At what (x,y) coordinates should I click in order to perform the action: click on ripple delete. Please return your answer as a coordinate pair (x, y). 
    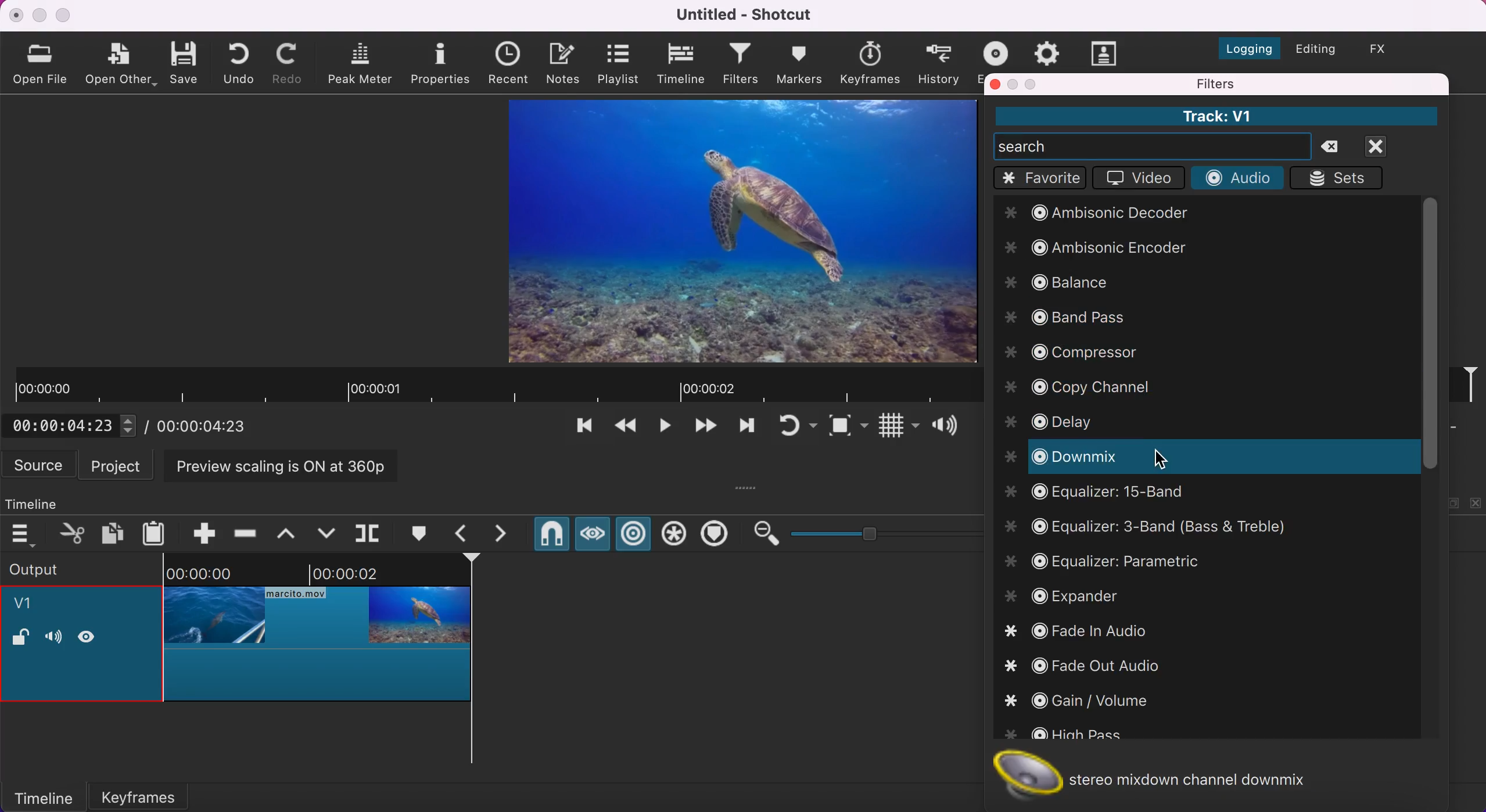
    Looking at the image, I should click on (246, 530).